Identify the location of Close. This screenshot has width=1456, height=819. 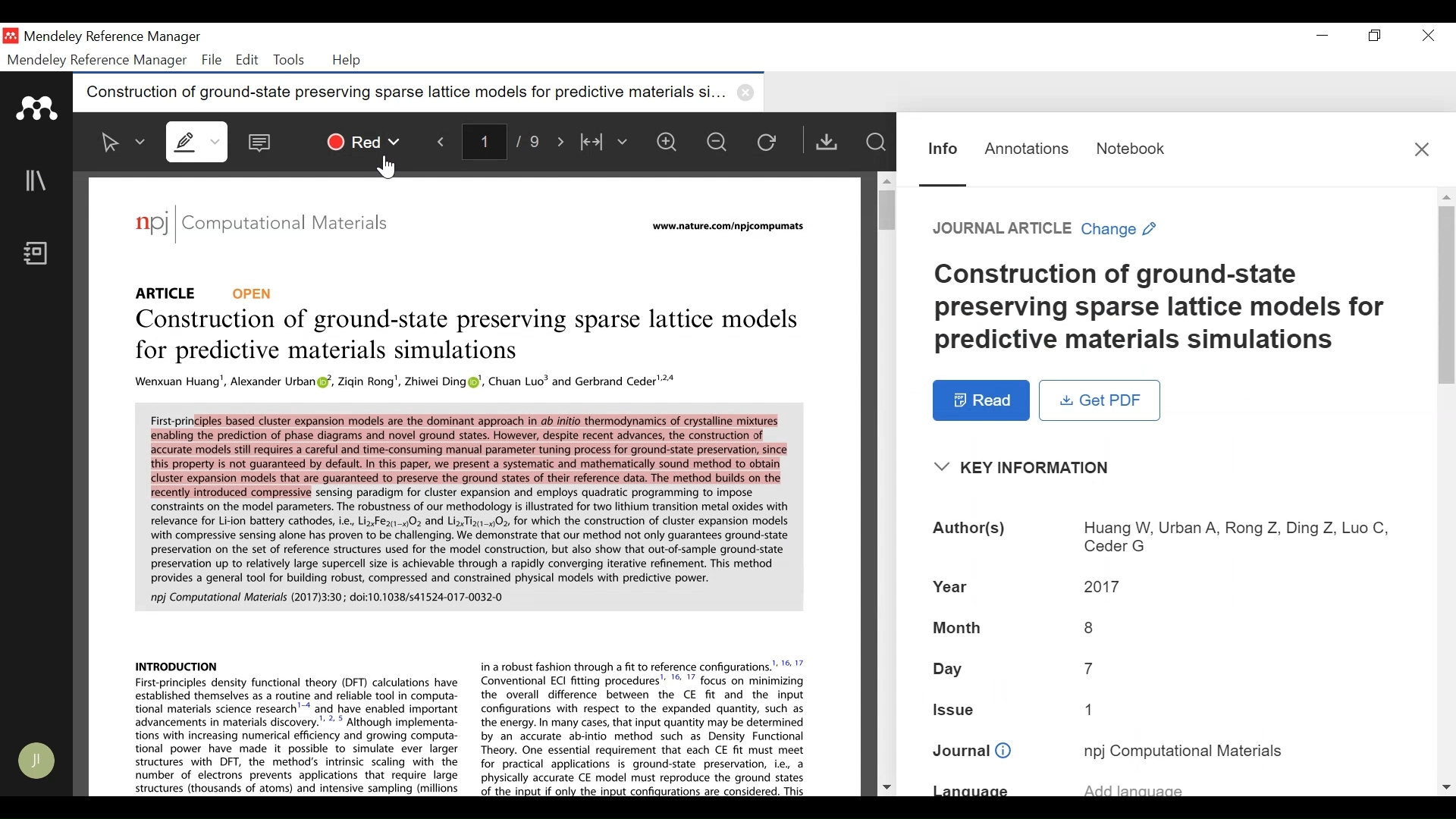
(1420, 149).